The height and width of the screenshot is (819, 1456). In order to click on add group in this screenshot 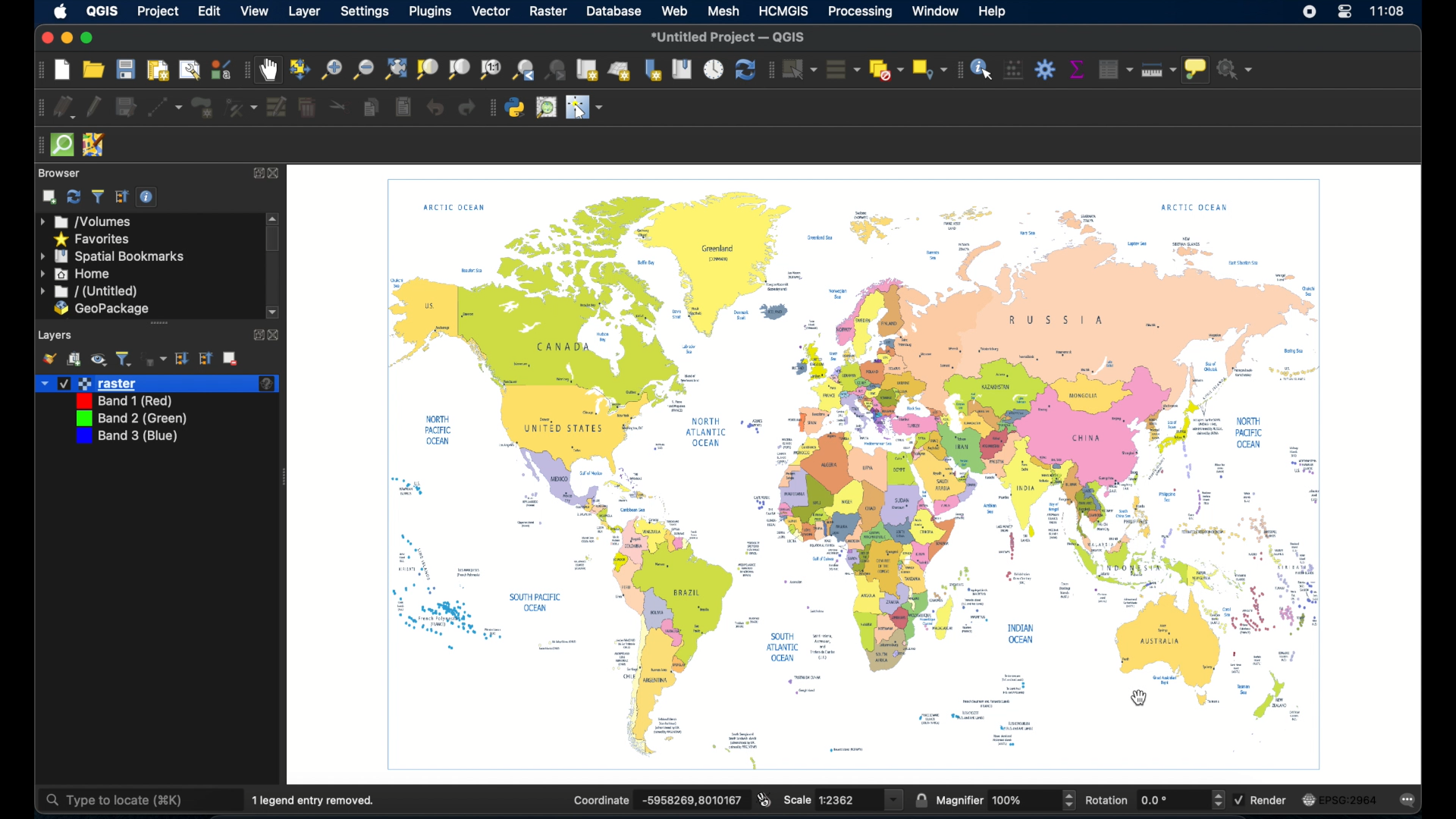, I will do `click(74, 359)`.